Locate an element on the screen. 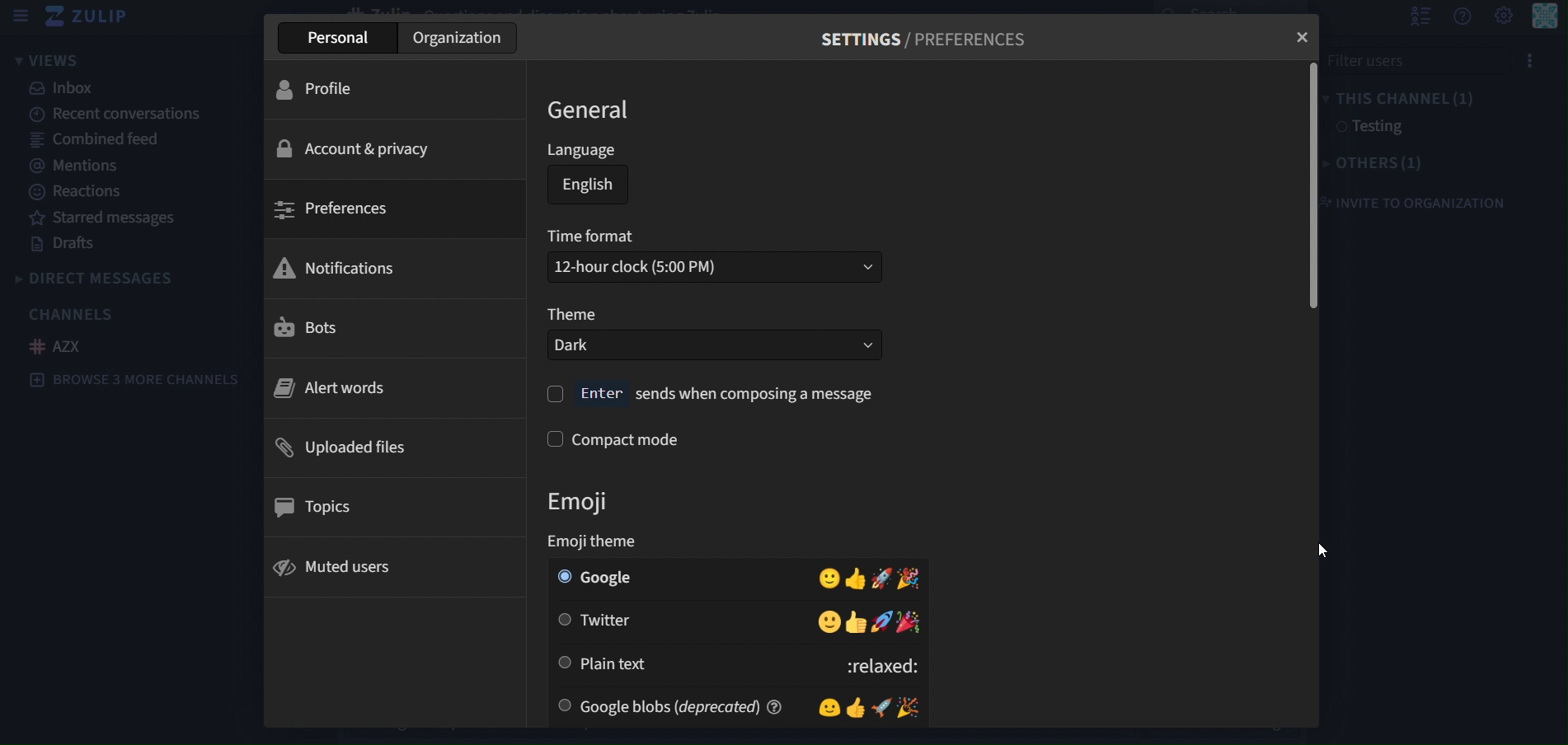 The width and height of the screenshot is (1568, 745). emoji is located at coordinates (582, 500).